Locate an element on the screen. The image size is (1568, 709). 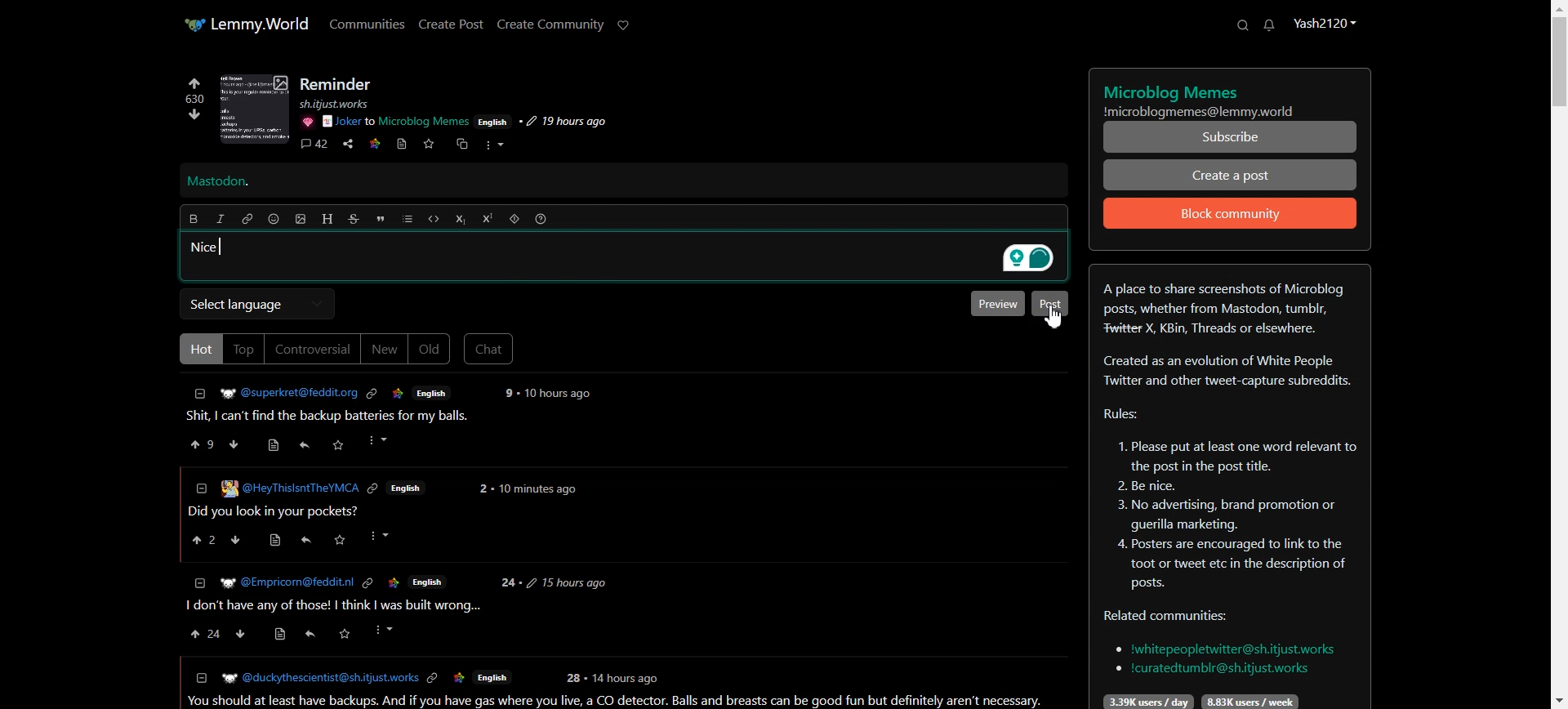
10 hours ago is located at coordinates (559, 394).